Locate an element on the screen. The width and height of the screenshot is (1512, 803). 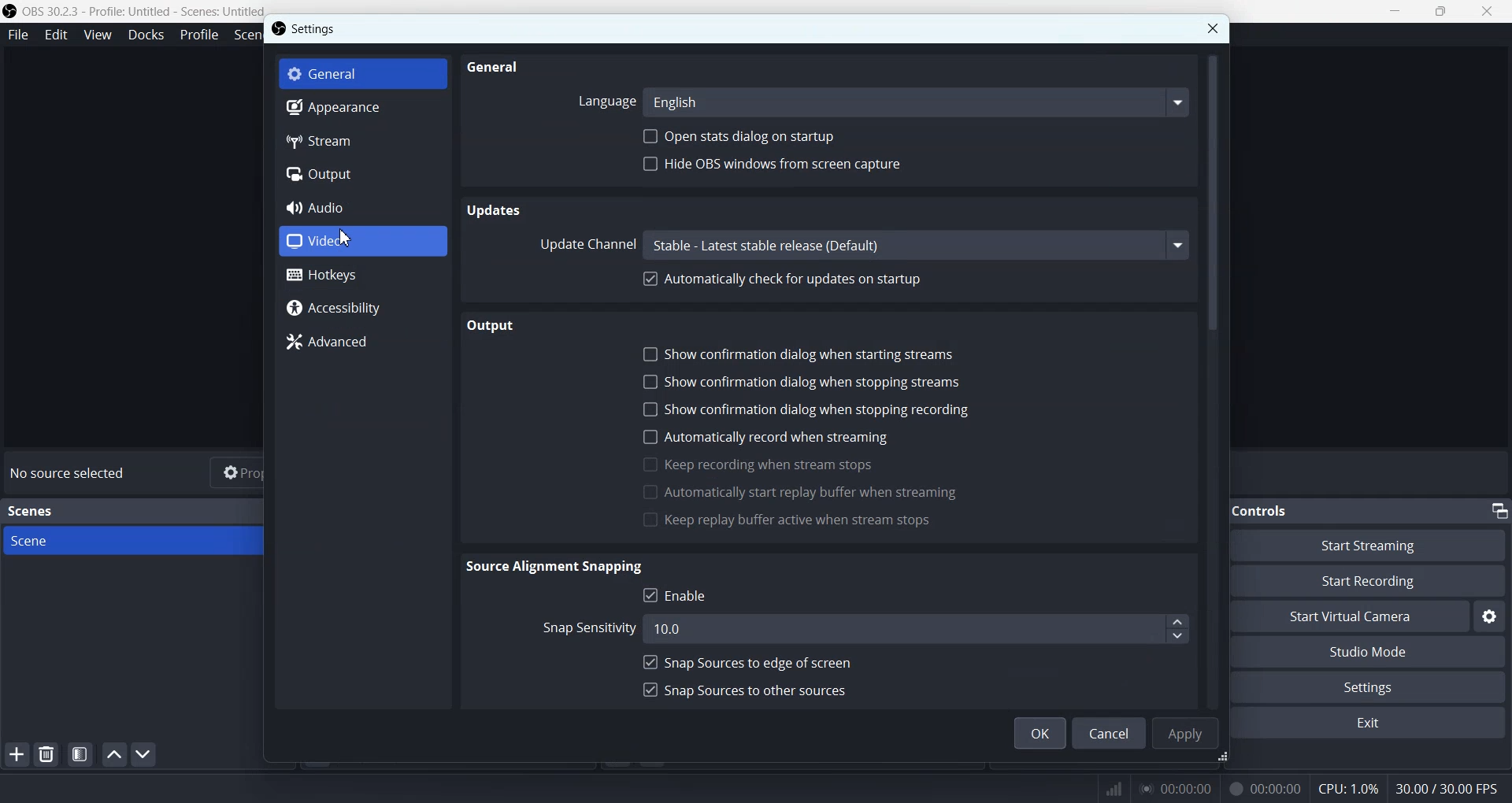
checkbox is located at coordinates (649, 353).